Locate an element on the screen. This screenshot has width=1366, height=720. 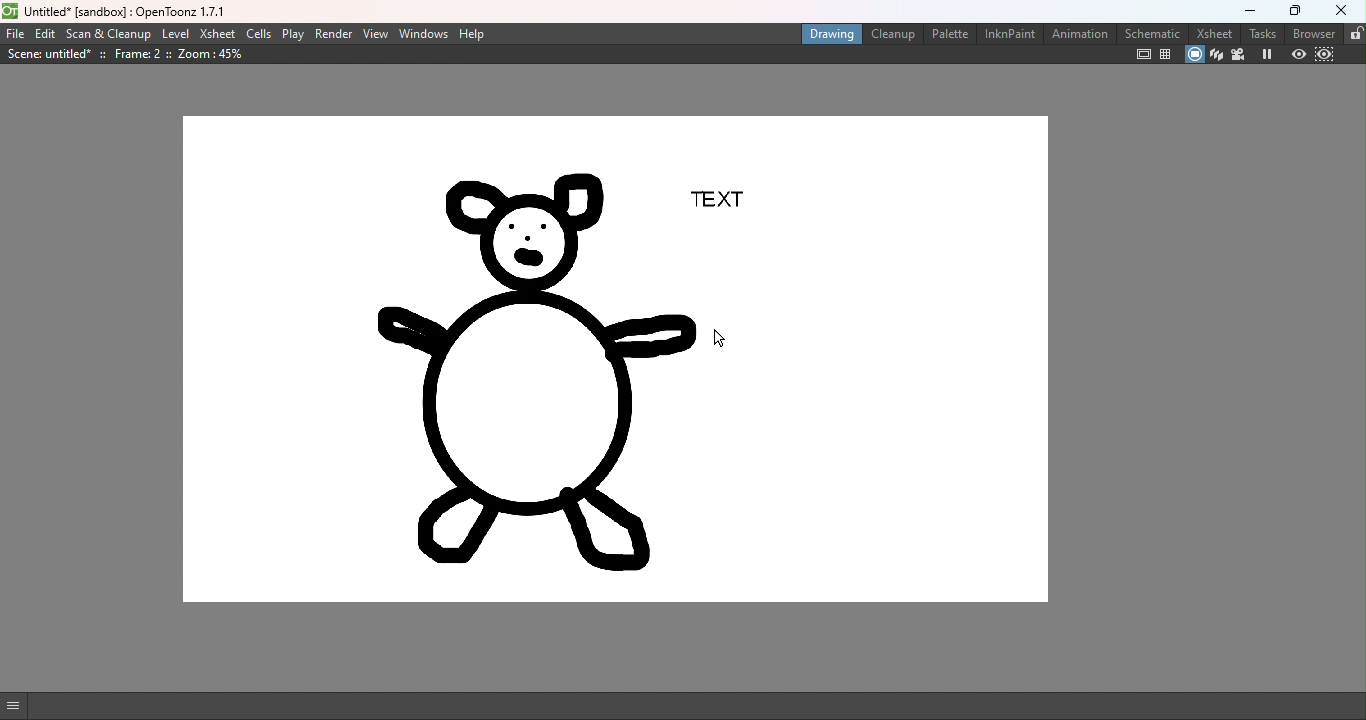
canvas is located at coordinates (601, 371).